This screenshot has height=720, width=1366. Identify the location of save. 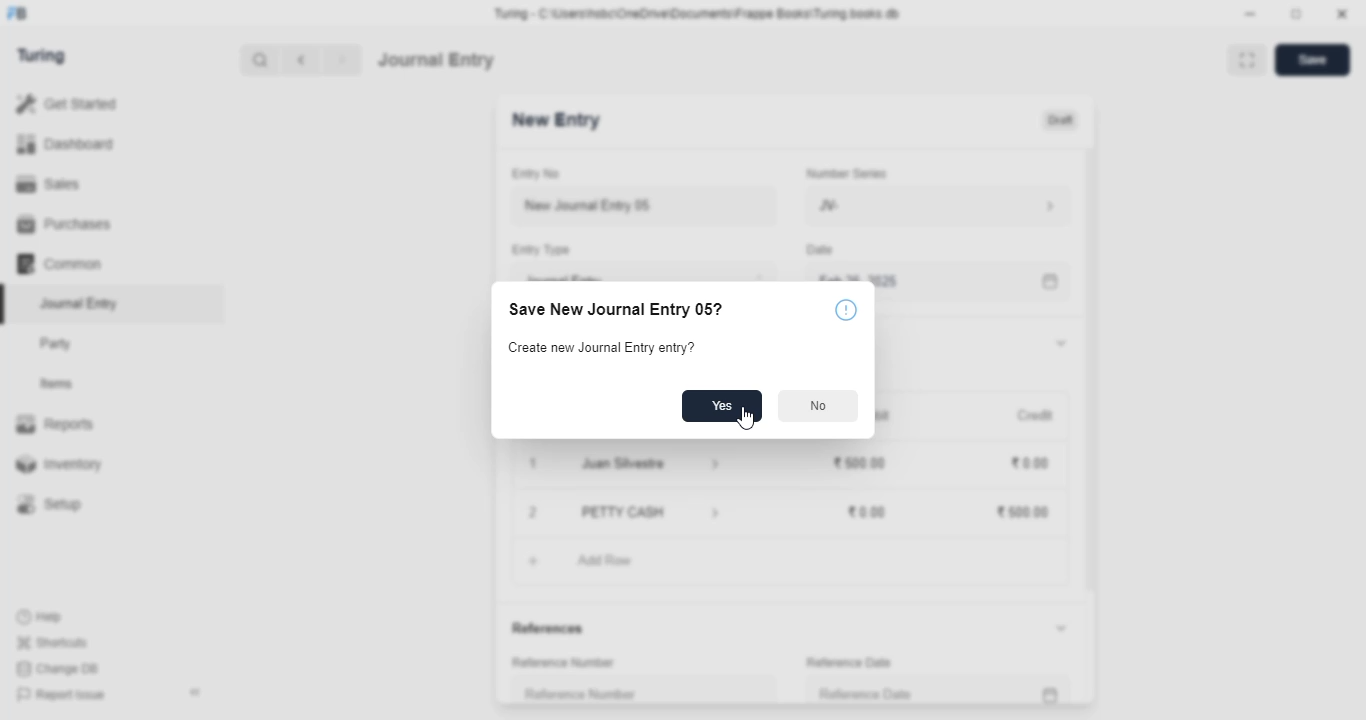
(1312, 60).